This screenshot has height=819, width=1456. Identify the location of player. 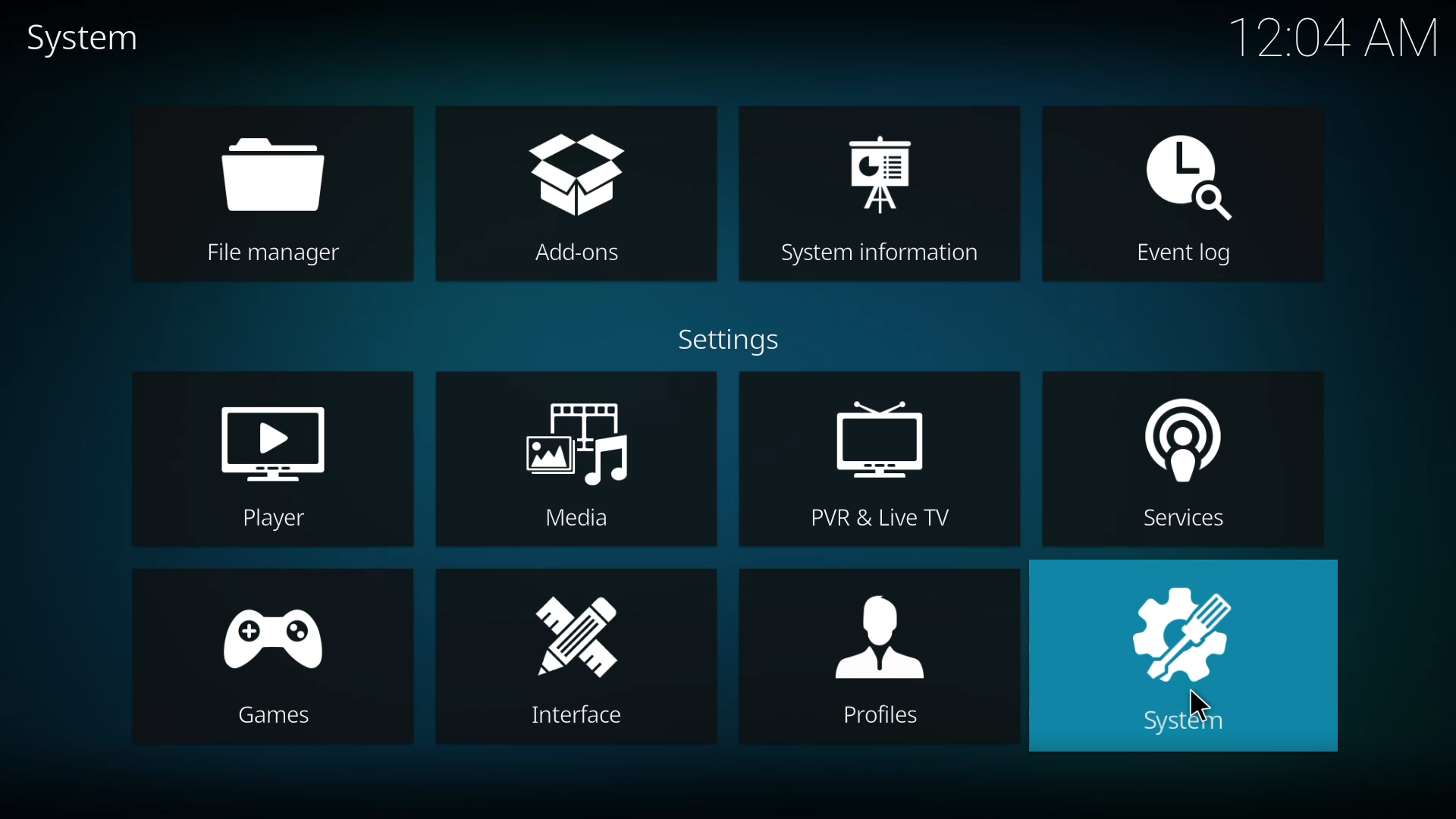
(284, 466).